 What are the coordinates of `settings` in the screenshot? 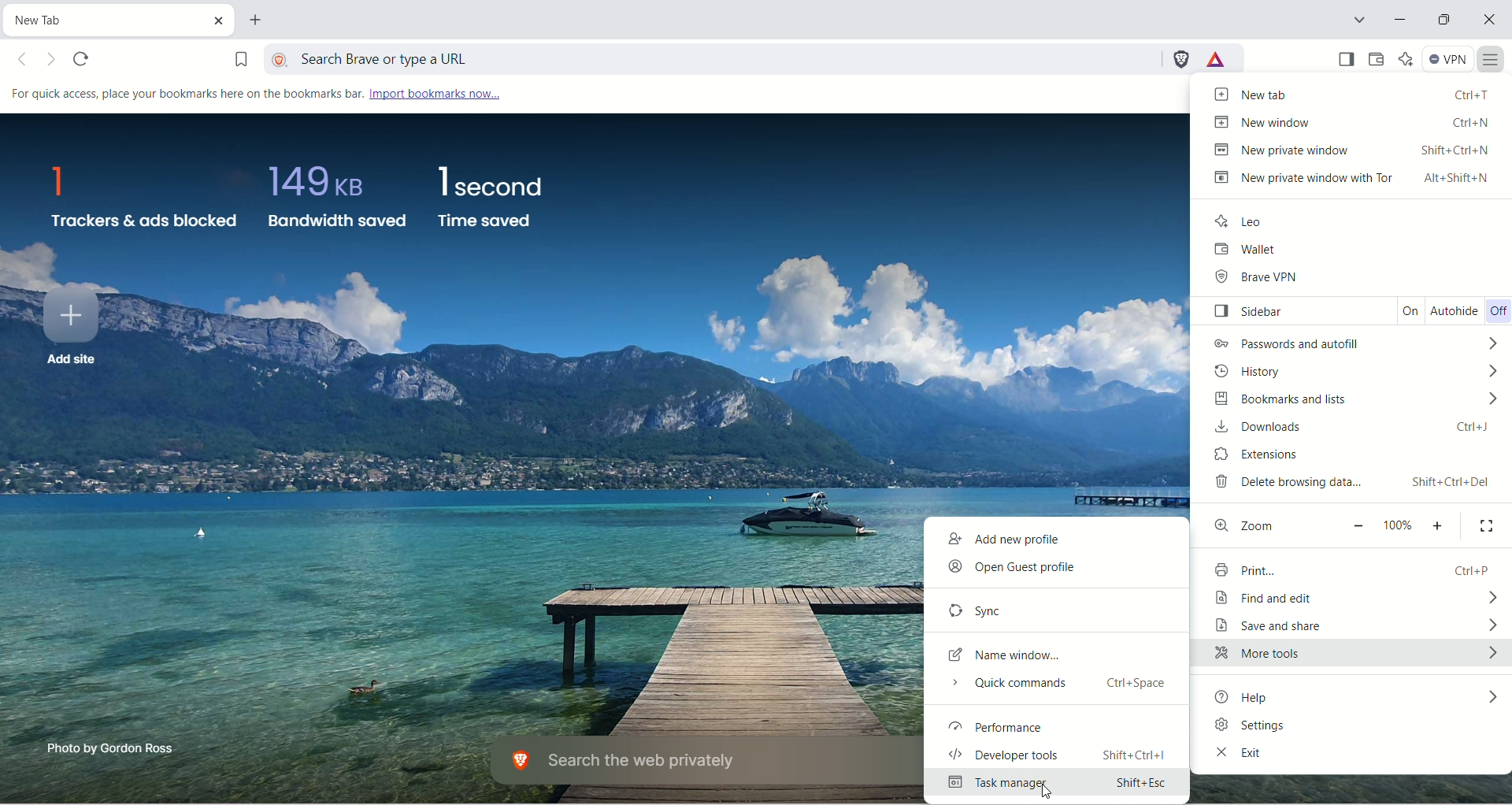 It's located at (1352, 728).